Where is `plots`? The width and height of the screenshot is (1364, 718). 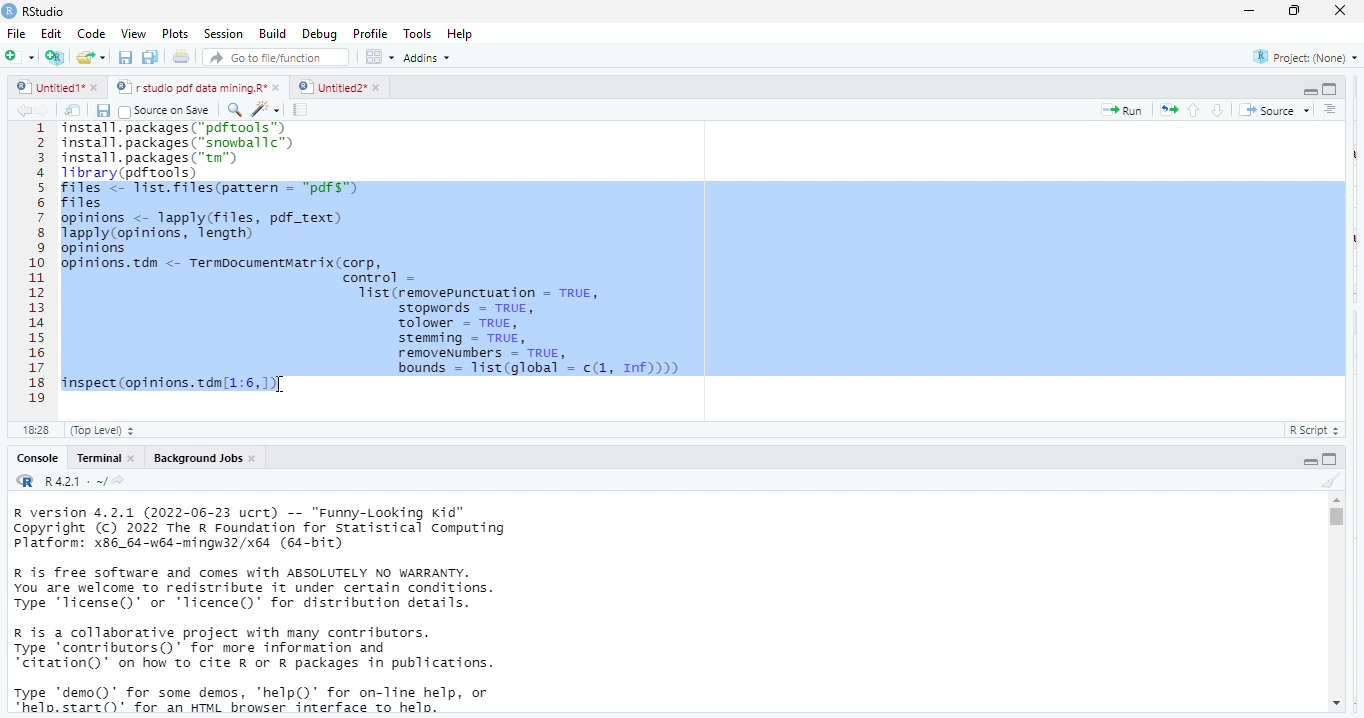
plots is located at coordinates (175, 34).